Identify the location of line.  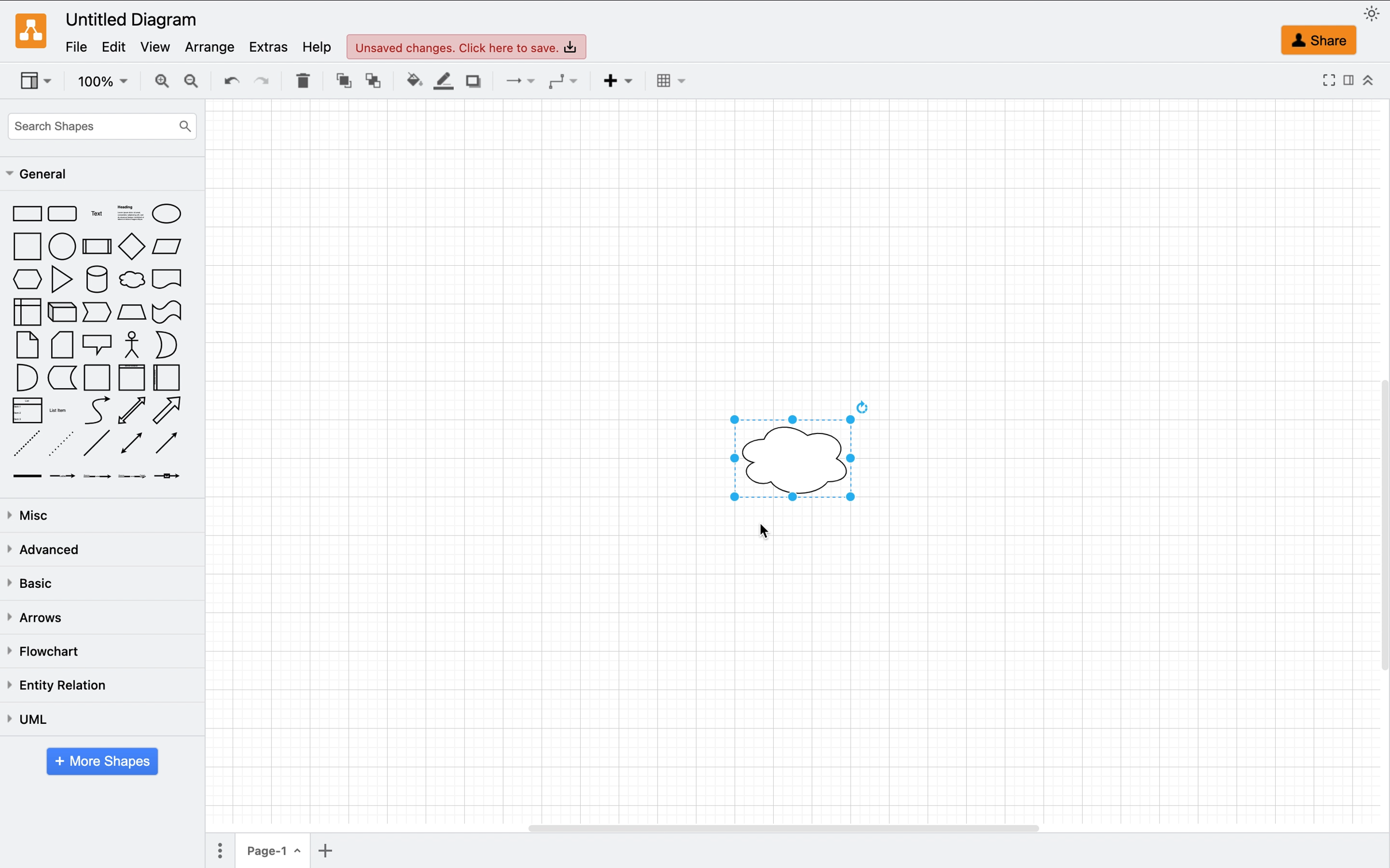
(95, 447).